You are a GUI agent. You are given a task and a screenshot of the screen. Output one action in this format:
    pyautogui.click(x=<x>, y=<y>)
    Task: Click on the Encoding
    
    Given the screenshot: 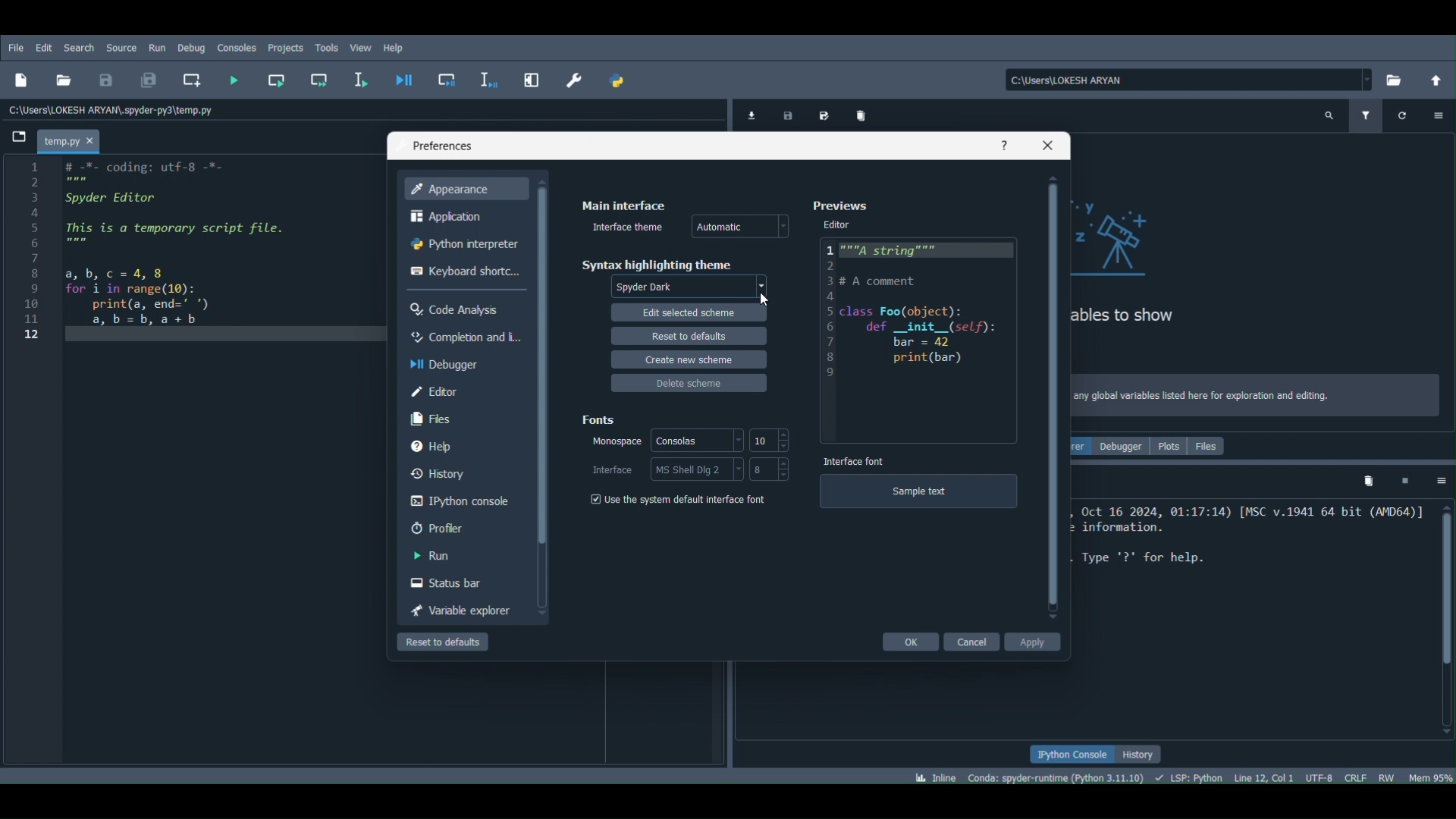 What is the action you would take?
    pyautogui.click(x=1323, y=777)
    